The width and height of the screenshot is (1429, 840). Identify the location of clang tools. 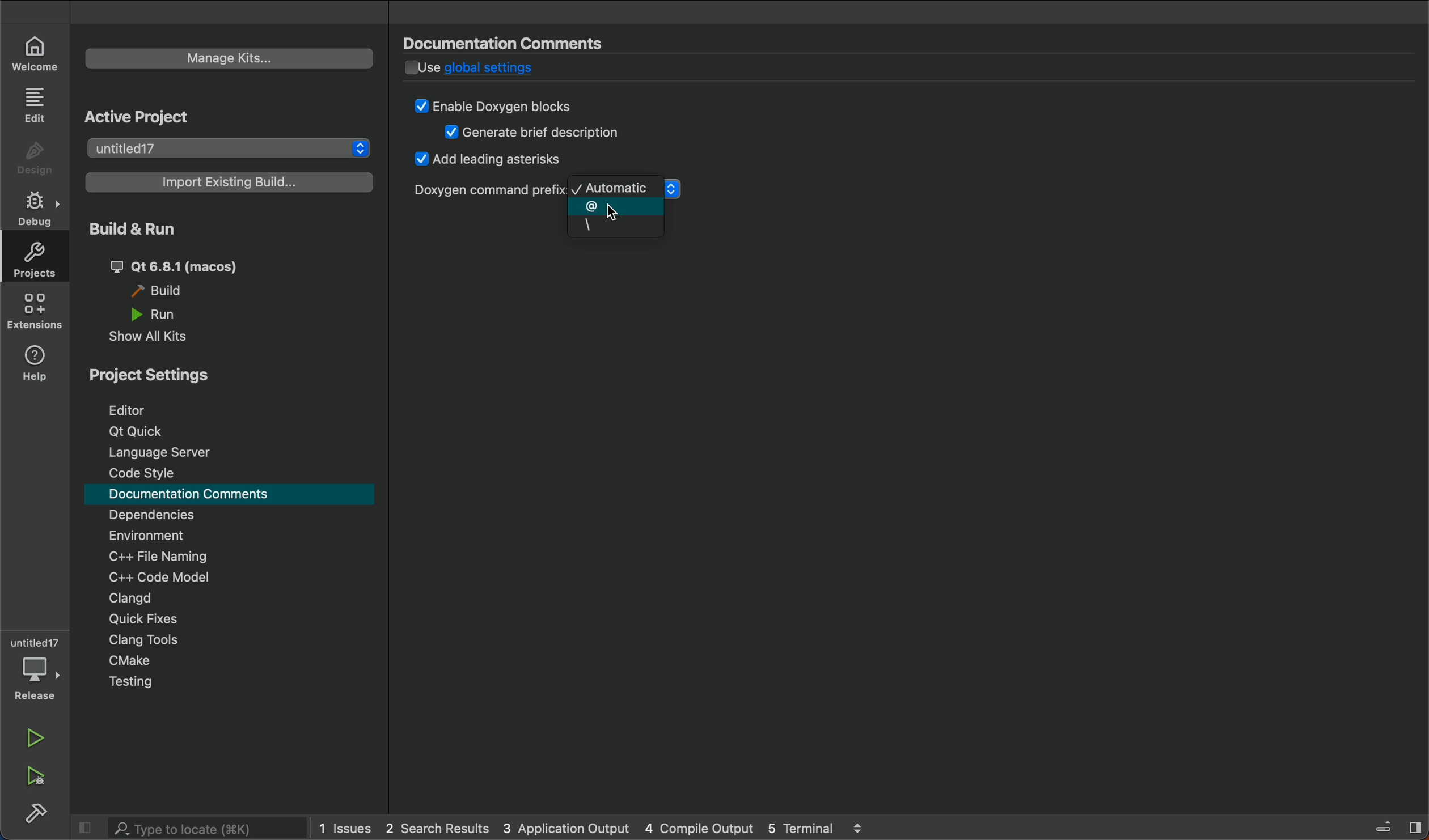
(150, 641).